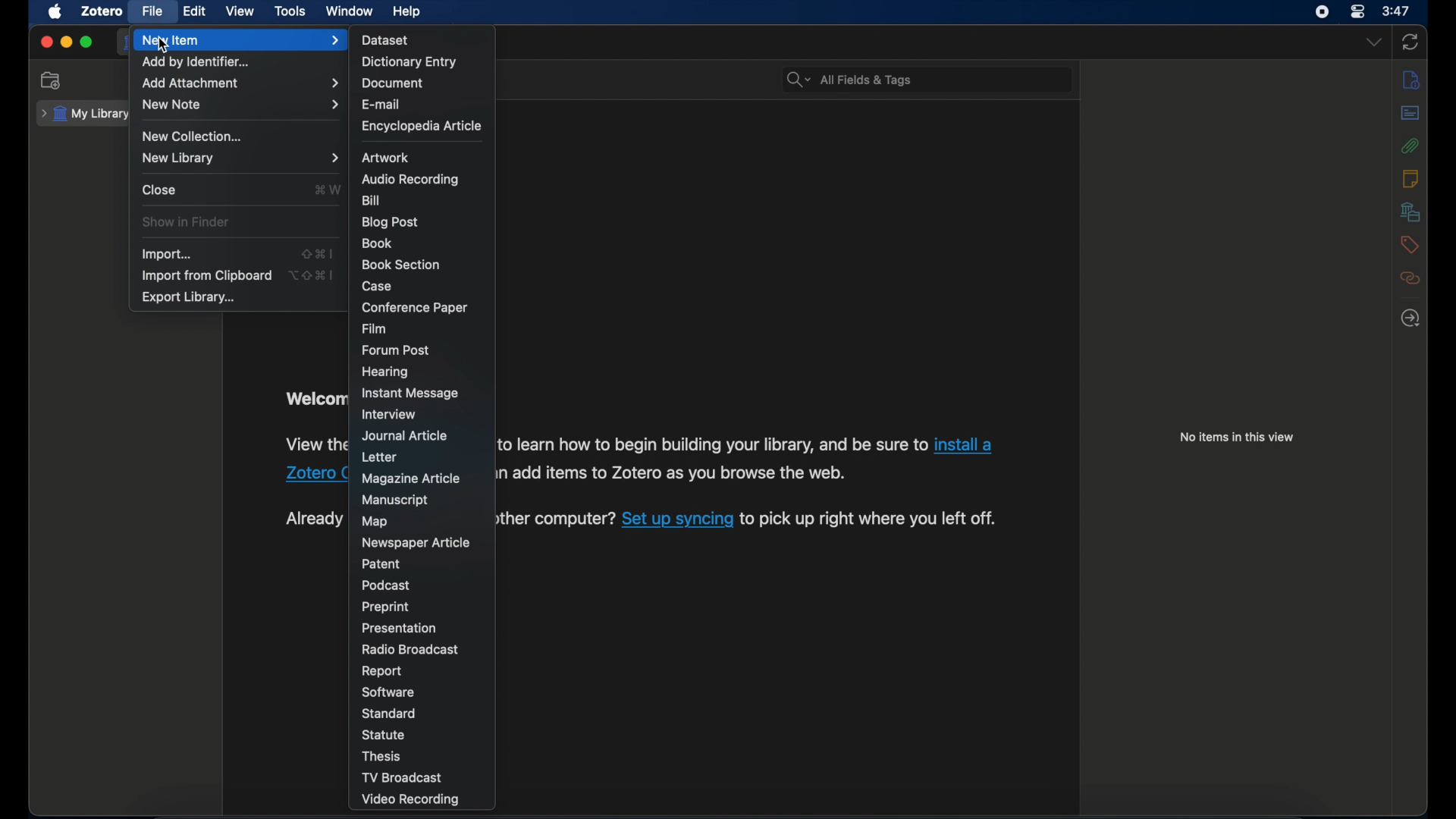 This screenshot has width=1456, height=819. Describe the element at coordinates (314, 399) in the screenshot. I see `obscure text` at that location.